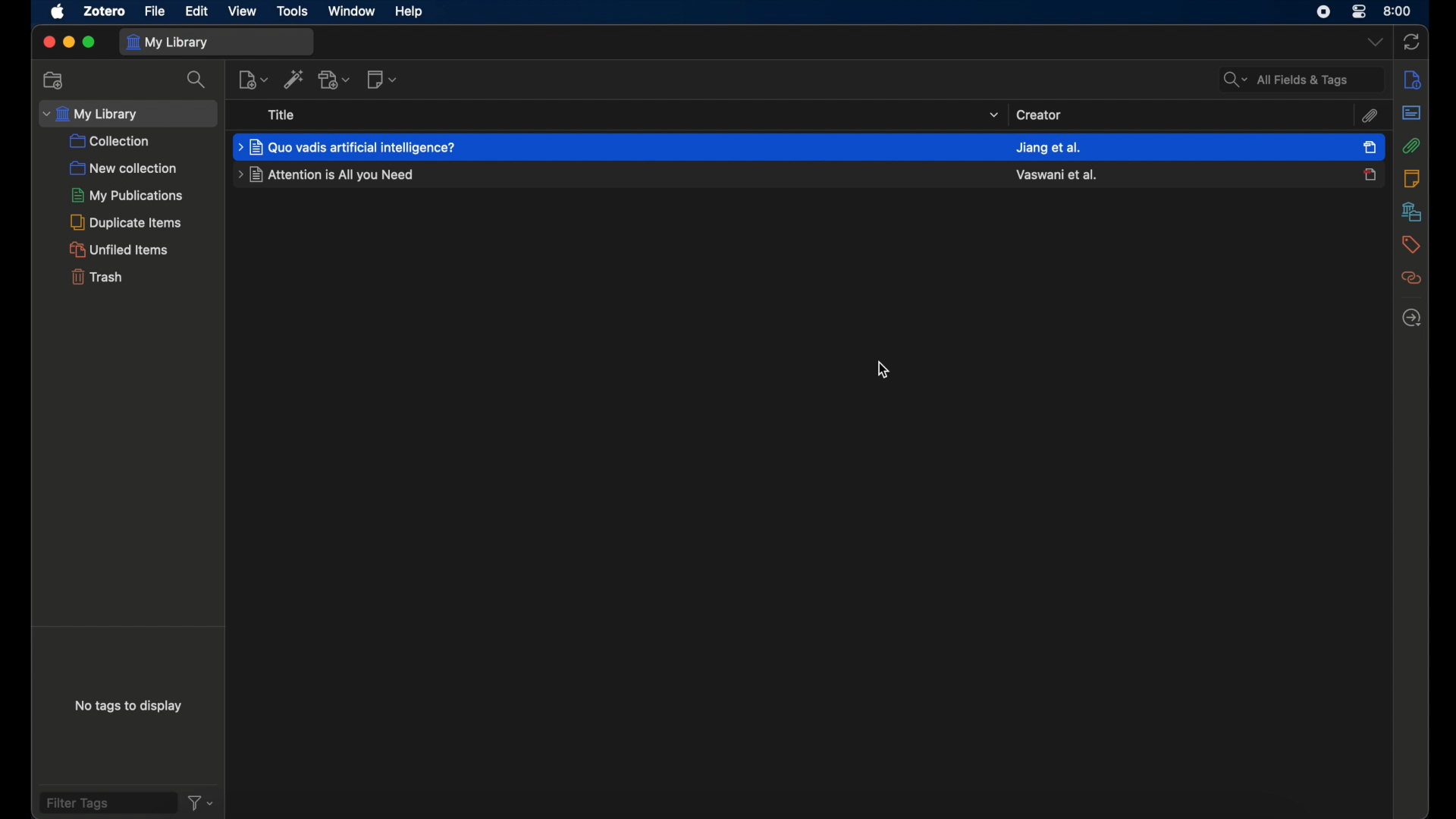 This screenshot has height=819, width=1456. What do you see at coordinates (55, 80) in the screenshot?
I see `new collection` at bounding box center [55, 80].